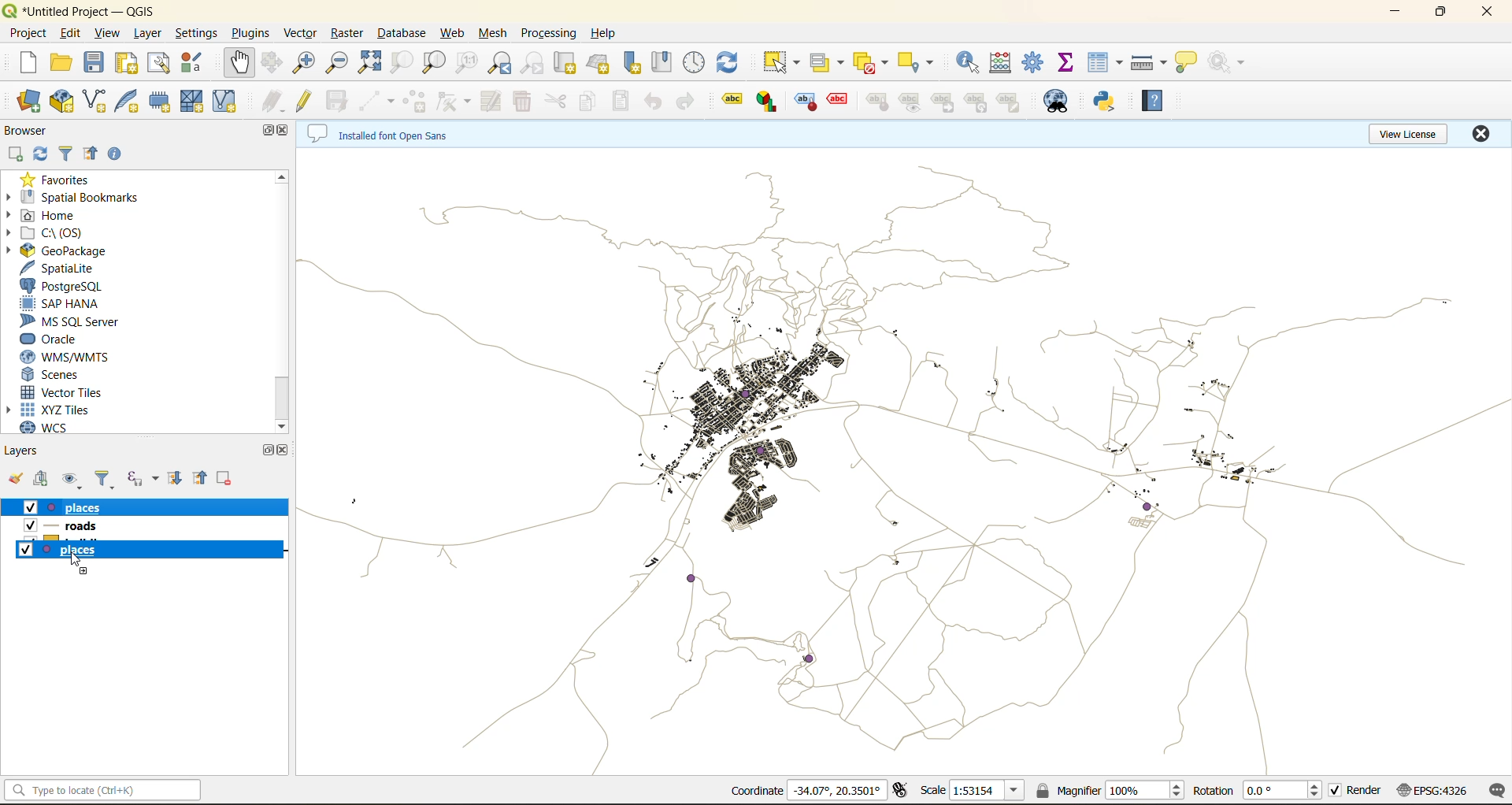 The image size is (1512, 805). I want to click on modify, so click(496, 102).